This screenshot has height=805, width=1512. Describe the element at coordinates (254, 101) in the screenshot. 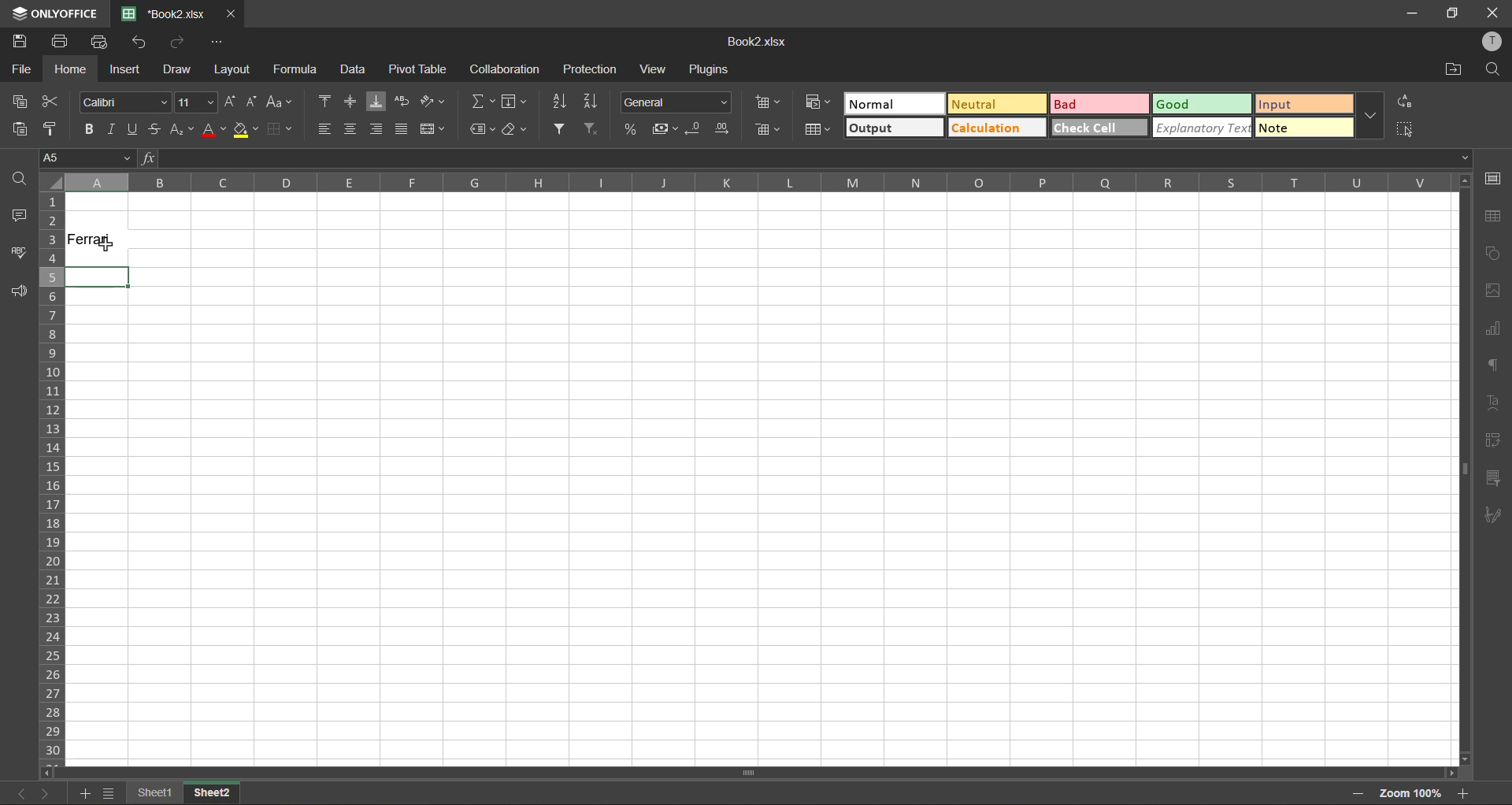

I see `decrement size` at that location.